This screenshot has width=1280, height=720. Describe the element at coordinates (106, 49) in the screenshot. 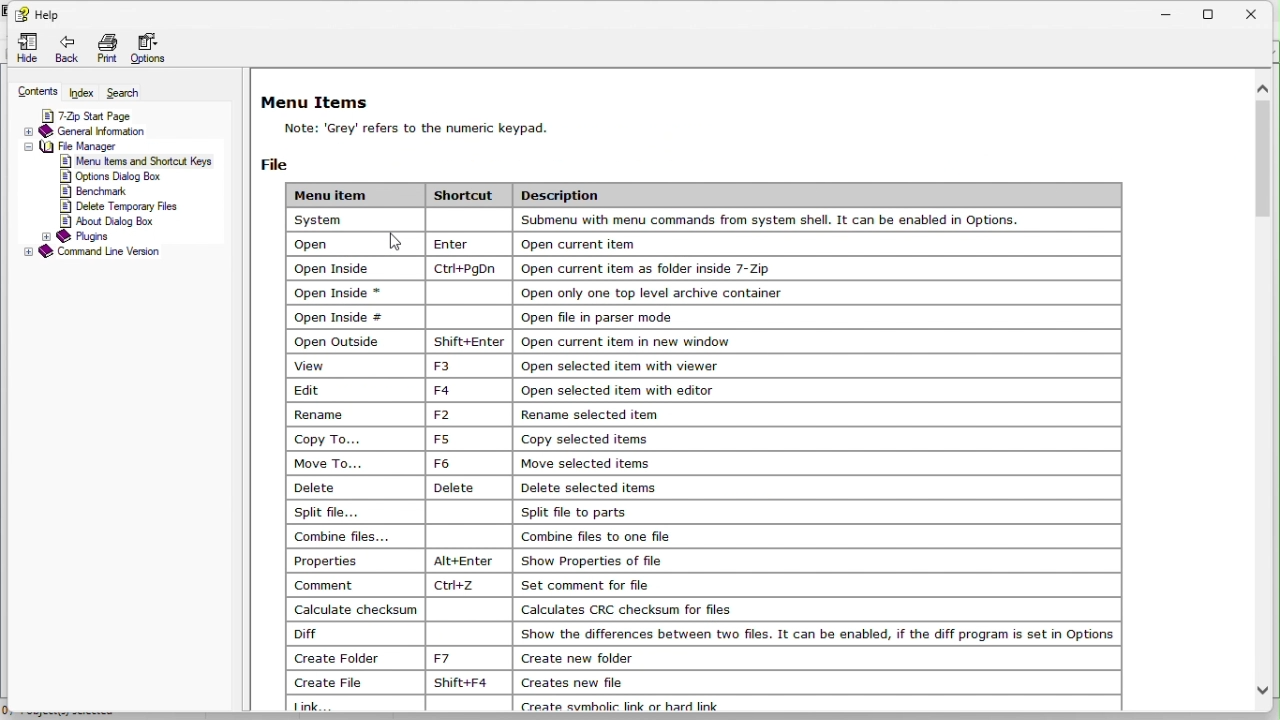

I see `Print` at that location.